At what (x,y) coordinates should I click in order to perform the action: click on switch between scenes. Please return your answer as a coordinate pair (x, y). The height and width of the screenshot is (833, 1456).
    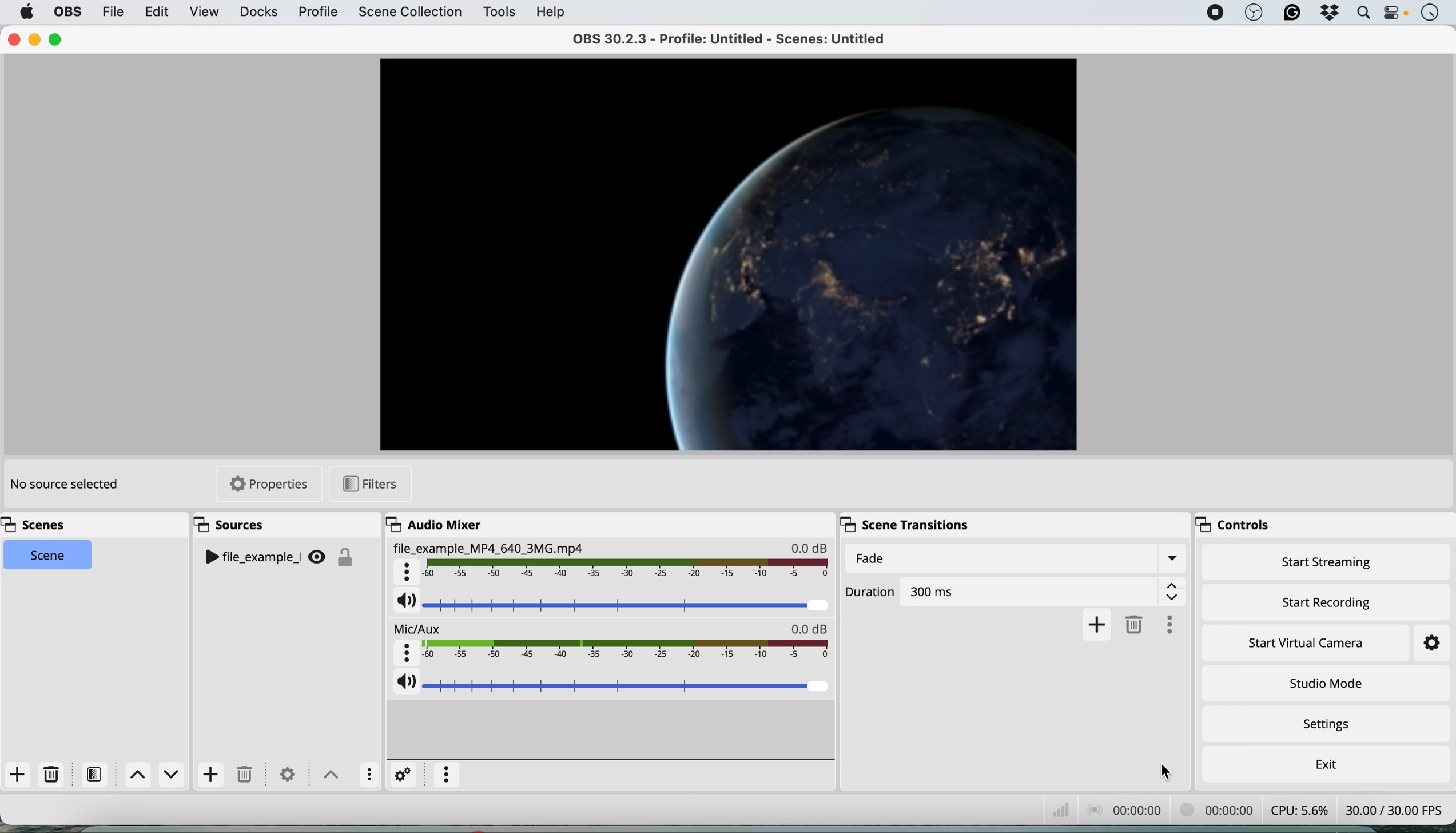
    Looking at the image, I should click on (156, 775).